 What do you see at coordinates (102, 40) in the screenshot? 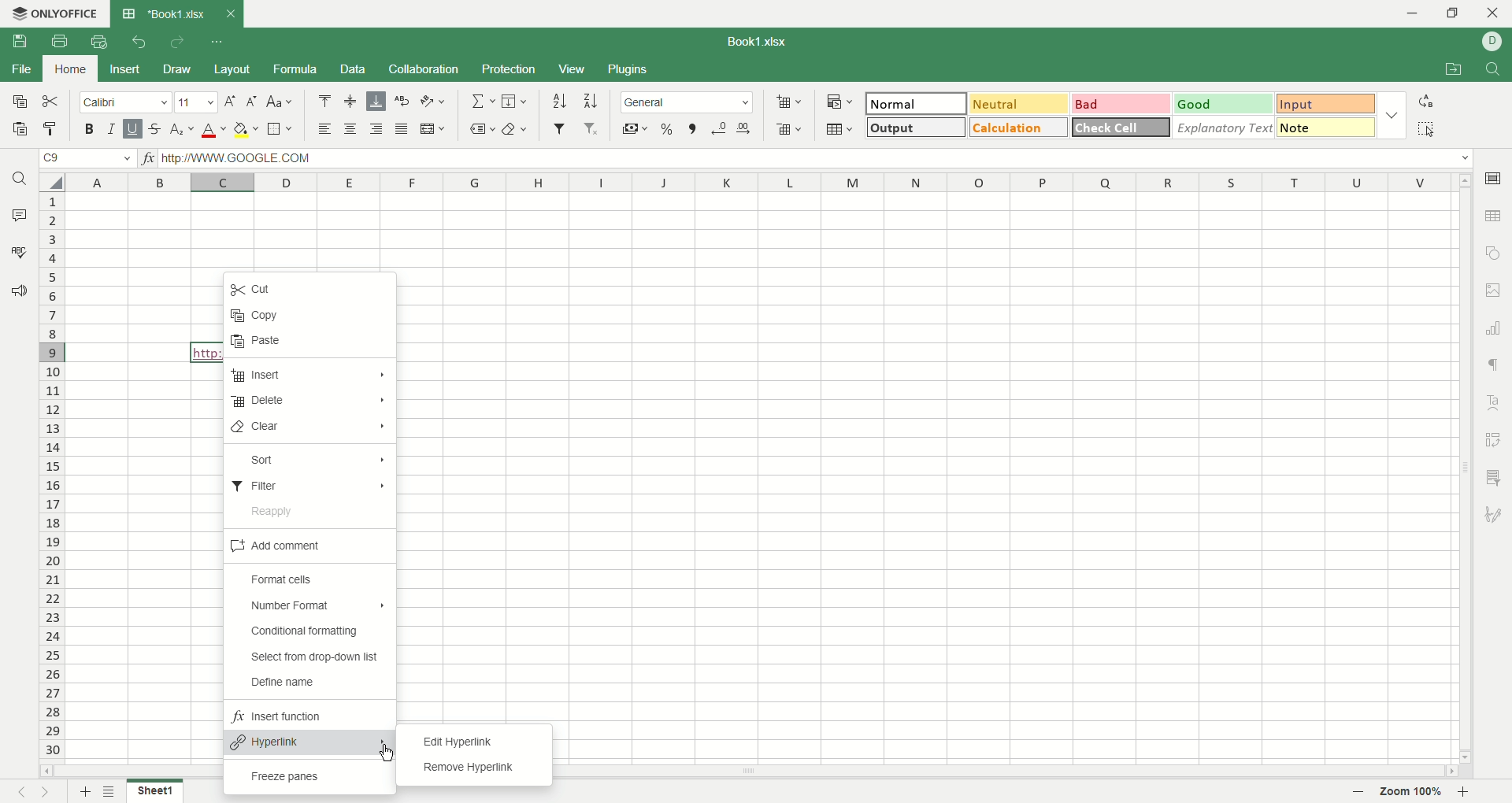
I see `quick print` at bounding box center [102, 40].